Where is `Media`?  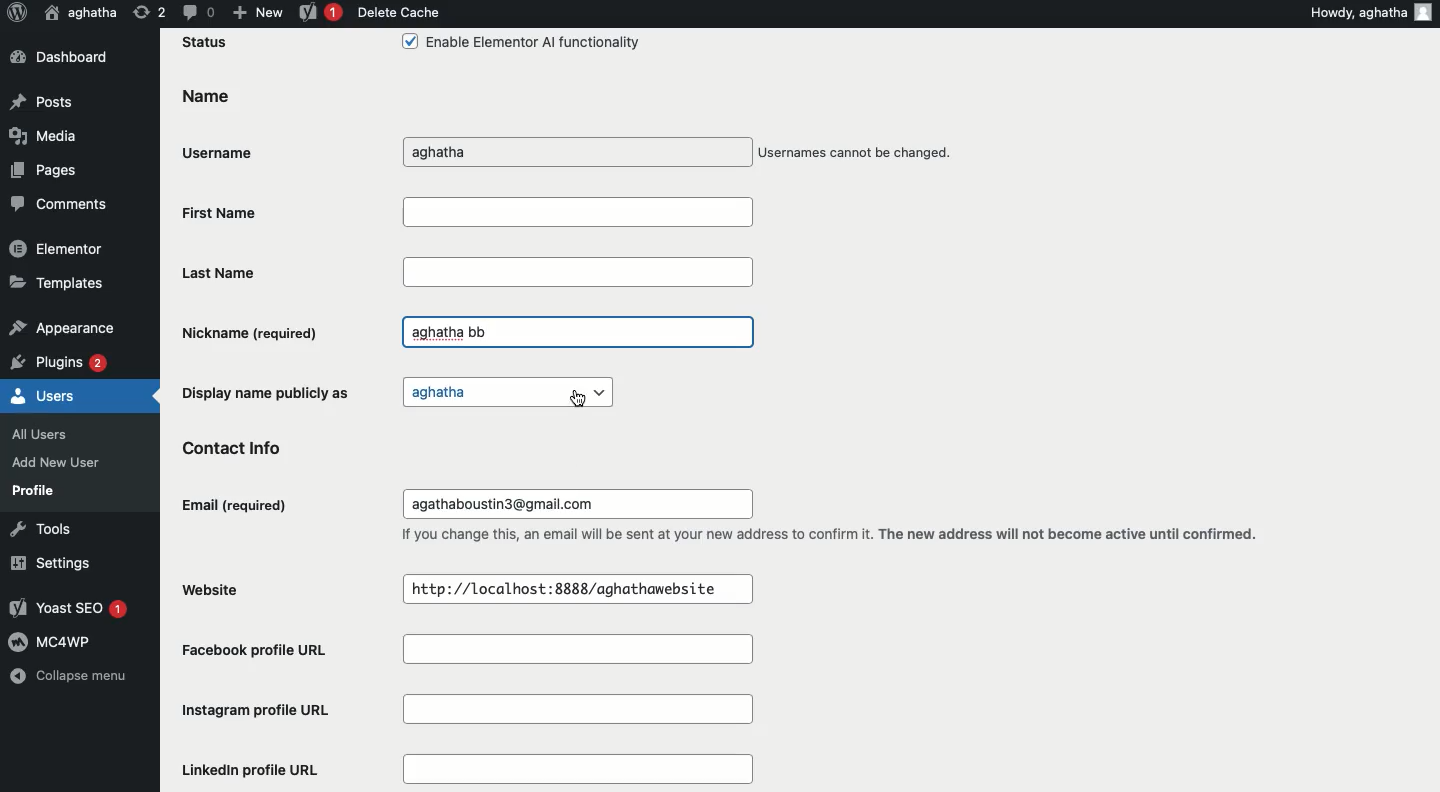
Media is located at coordinates (41, 135).